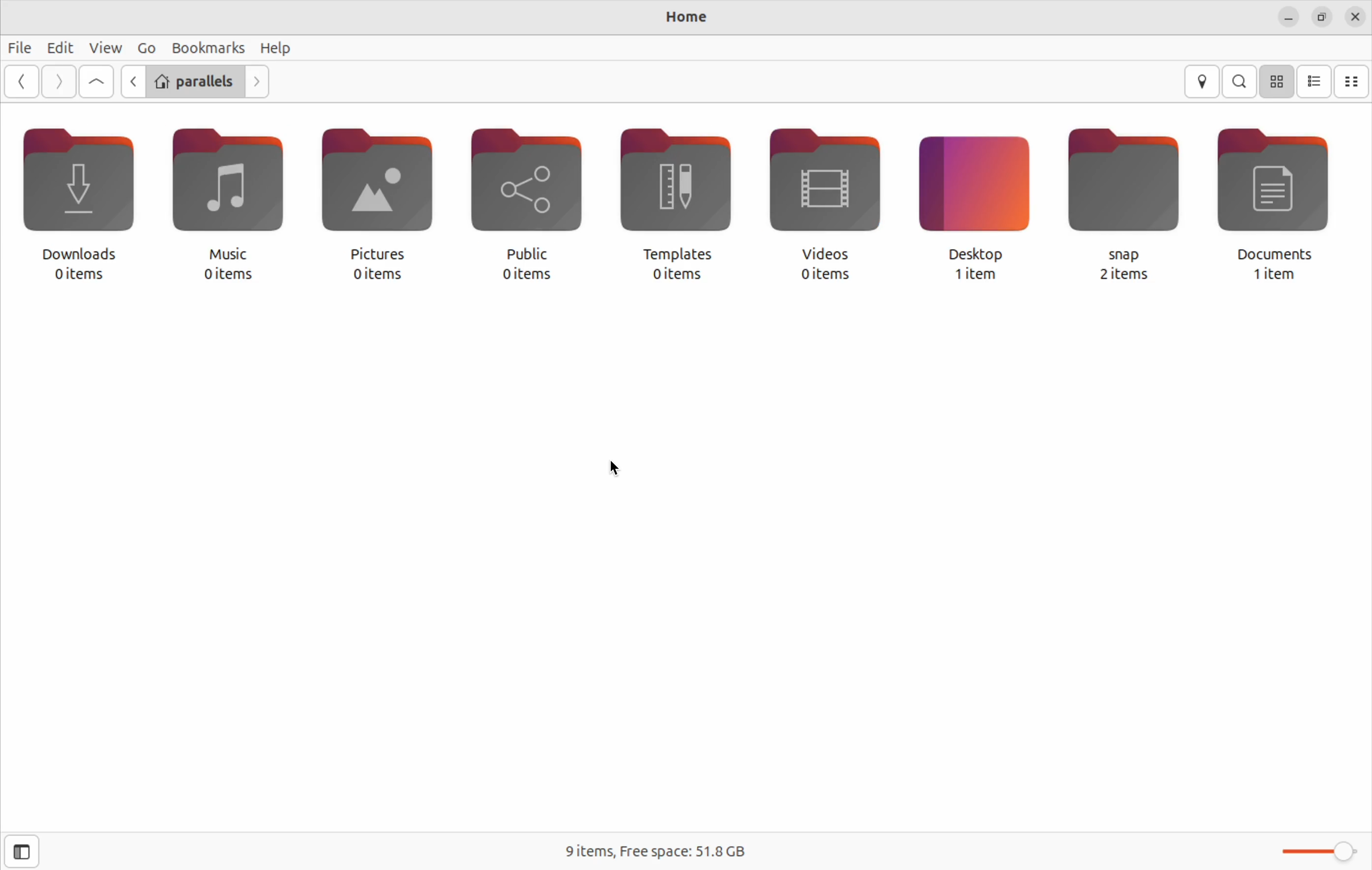  Describe the element at coordinates (685, 205) in the screenshot. I see `templates` at that location.